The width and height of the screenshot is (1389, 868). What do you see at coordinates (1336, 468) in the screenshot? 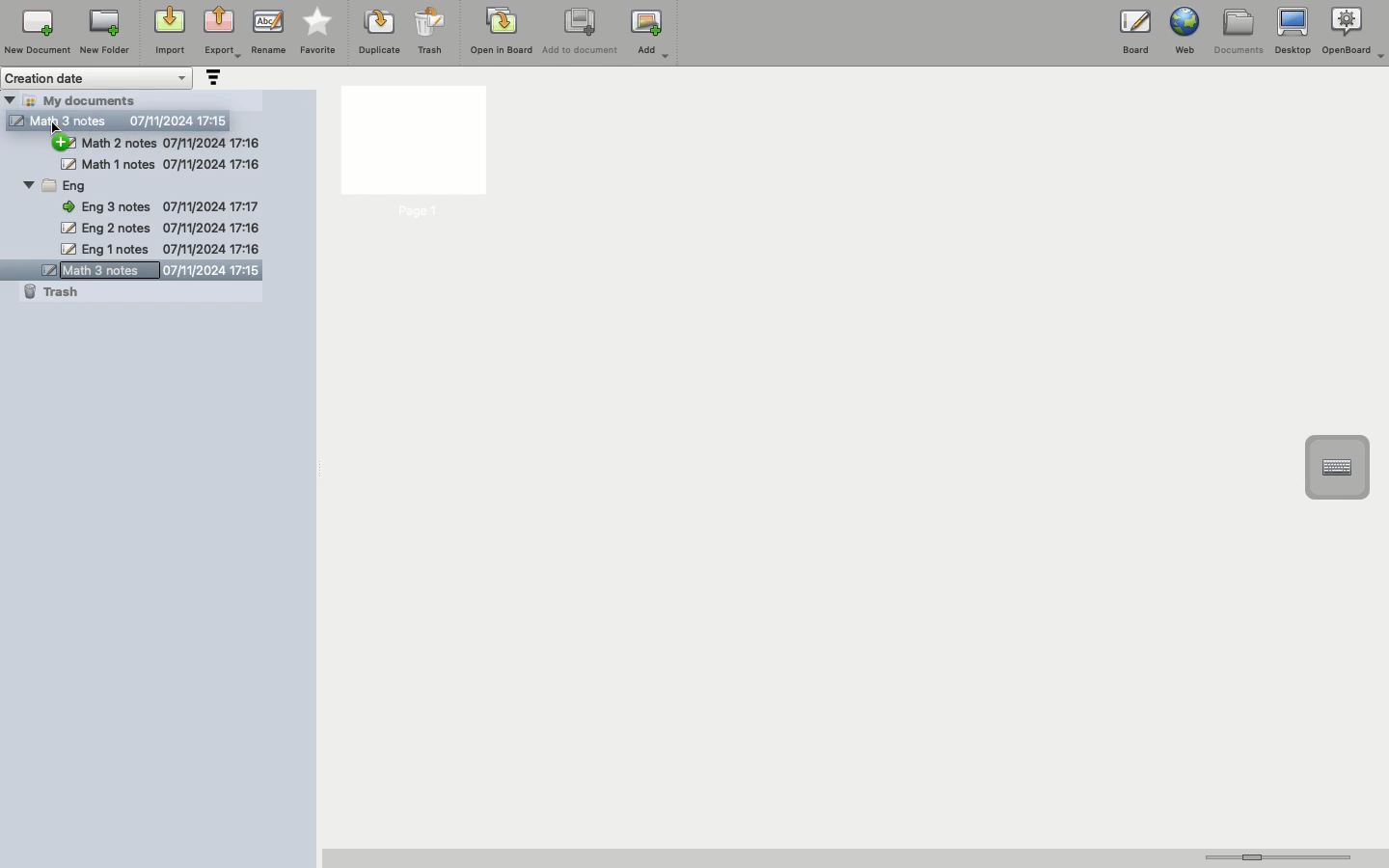
I see `Text input` at bounding box center [1336, 468].